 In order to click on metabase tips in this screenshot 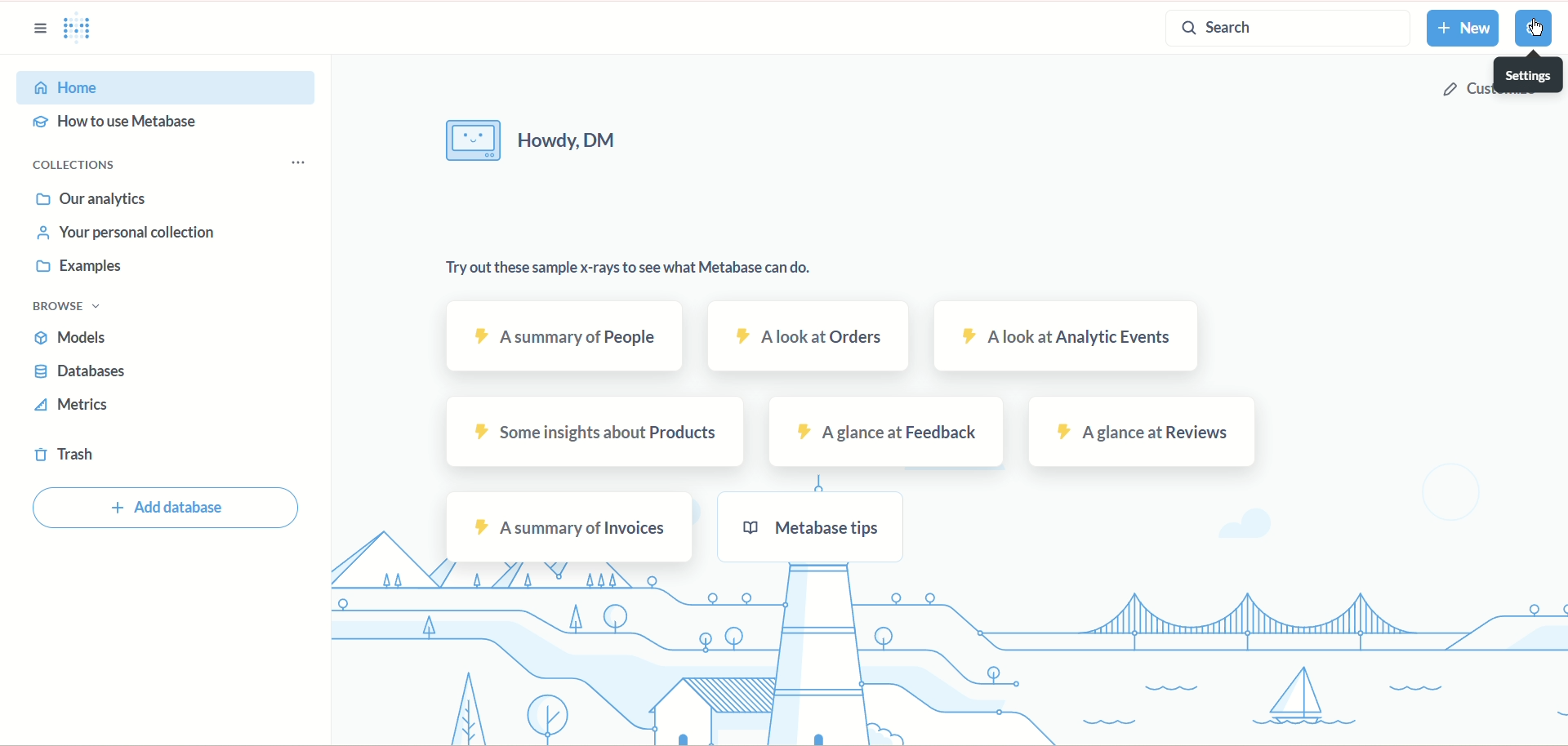, I will do `click(809, 528)`.